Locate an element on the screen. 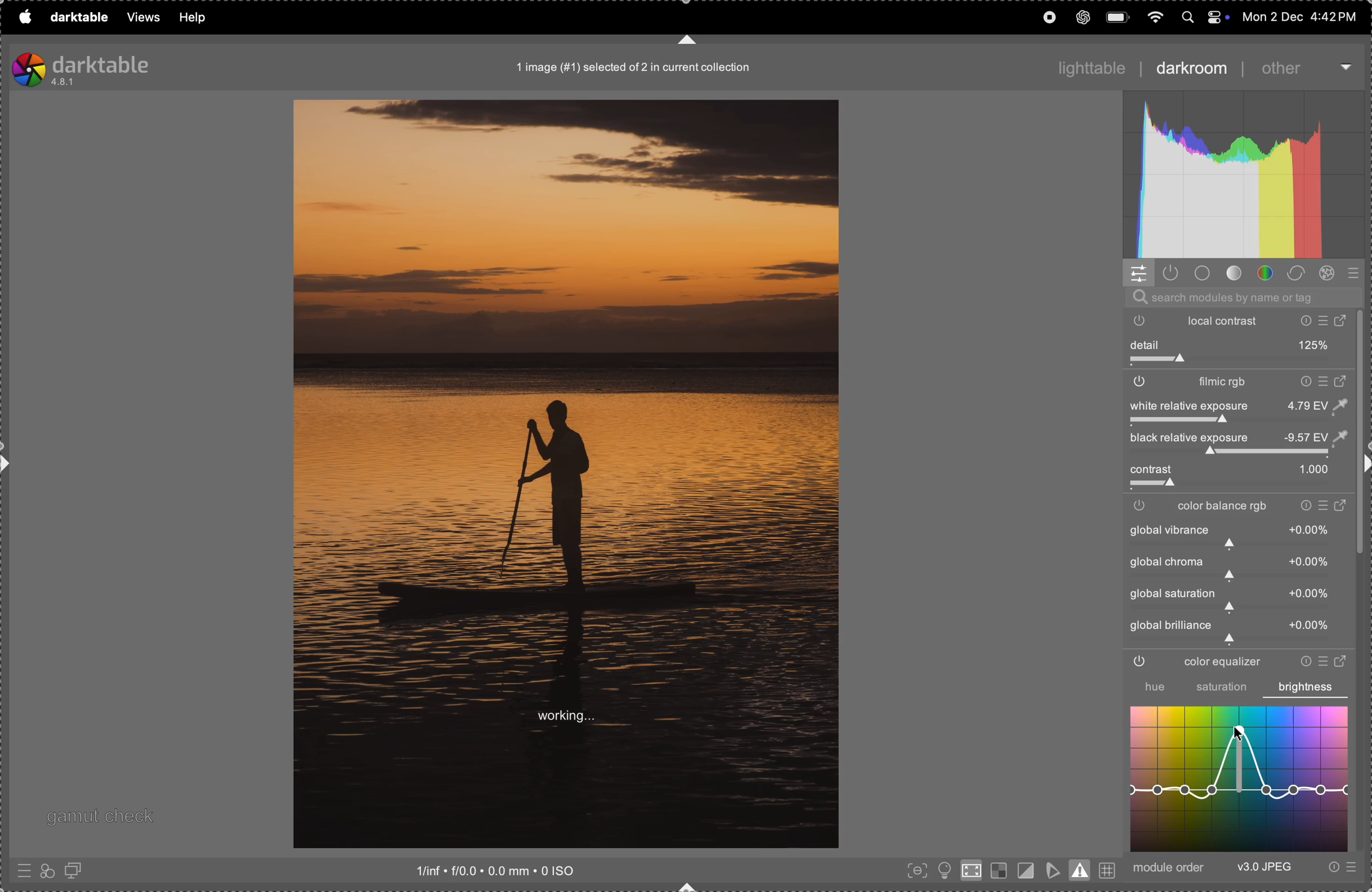  other is located at coordinates (1299, 68).